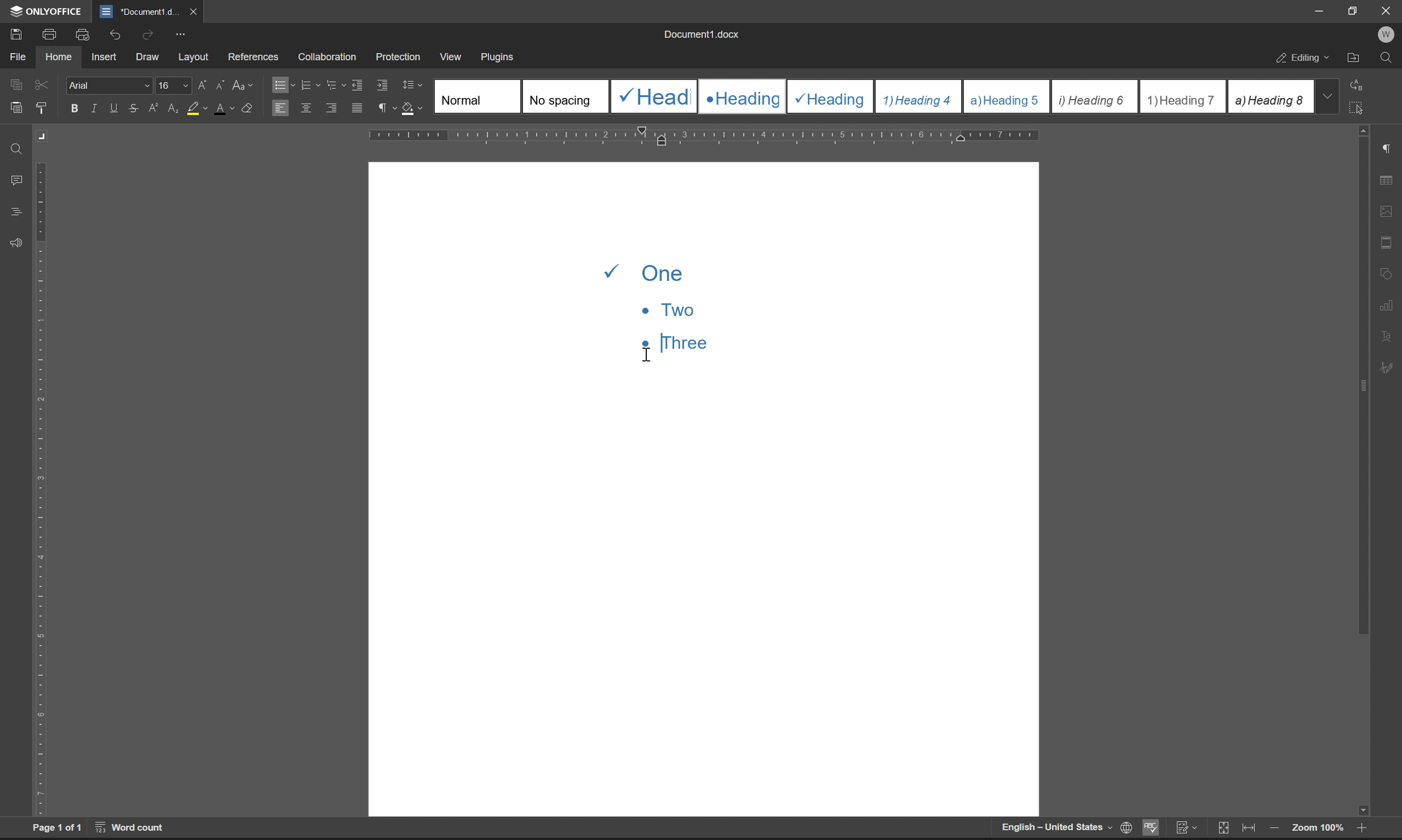 The image size is (1402, 840). Describe the element at coordinates (1055, 828) in the screenshot. I see `English-United States` at that location.